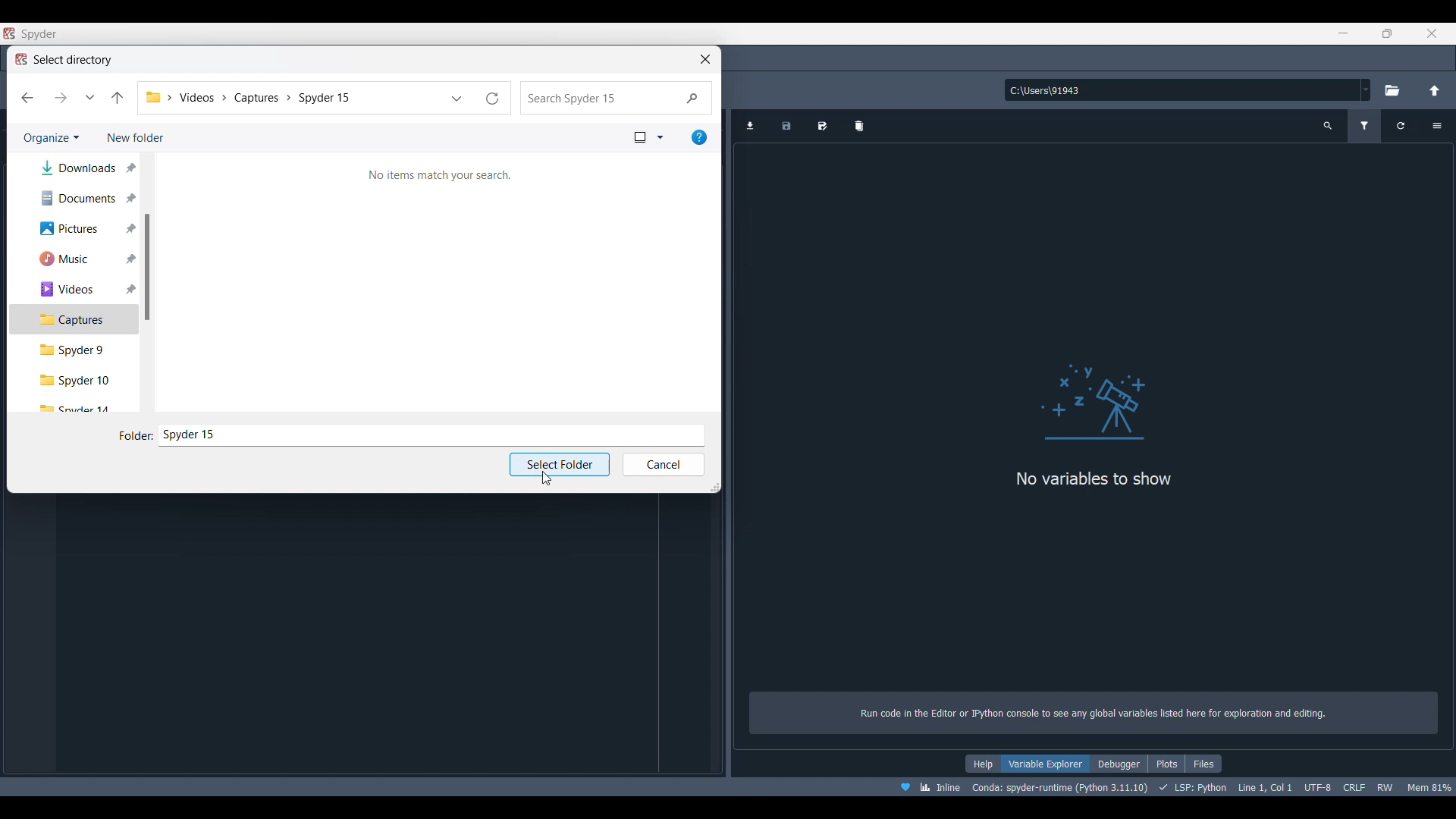  Describe the element at coordinates (1203, 764) in the screenshot. I see `Files` at that location.